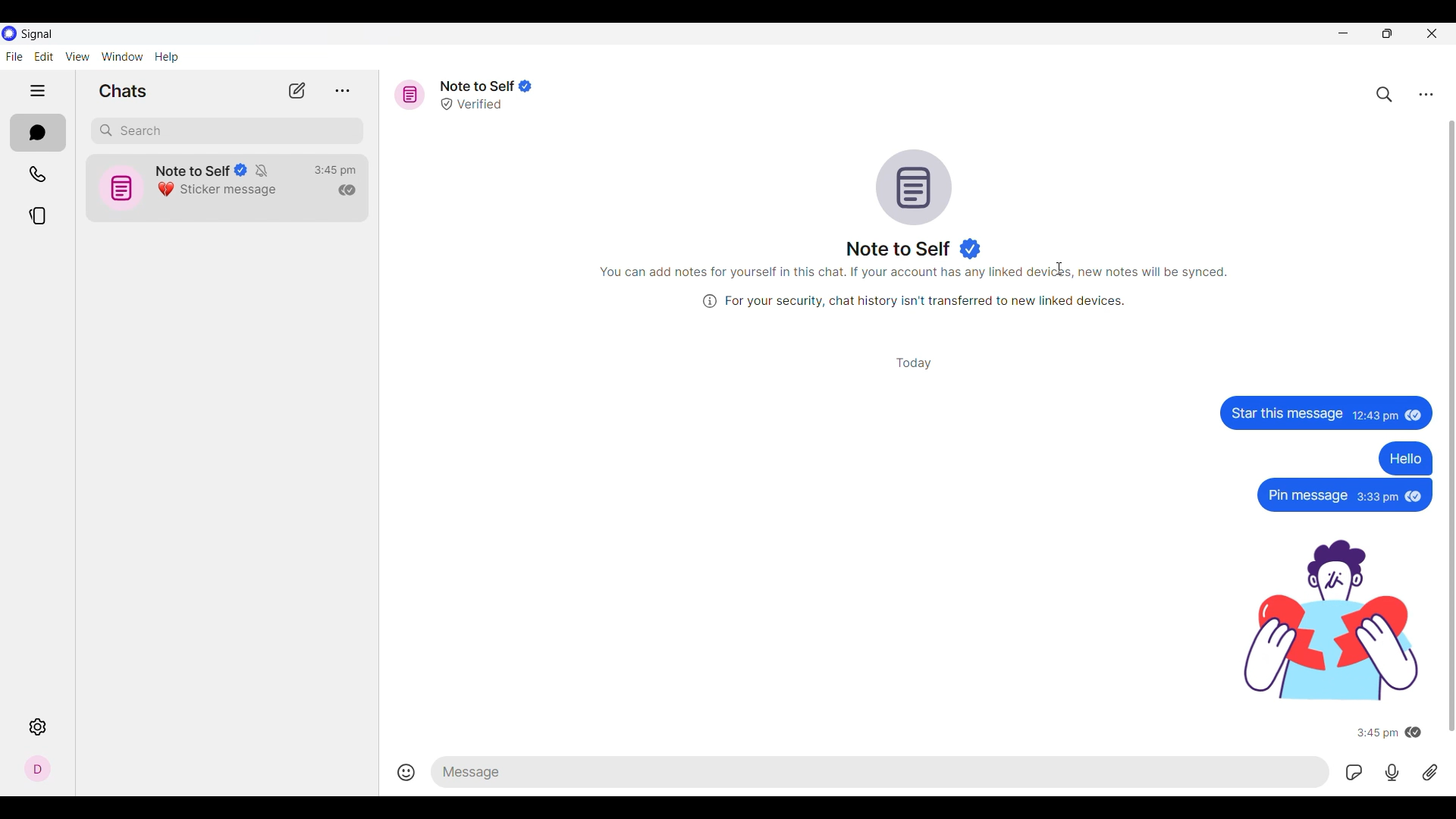 The height and width of the screenshot is (819, 1456). Describe the element at coordinates (38, 174) in the screenshot. I see `Calls` at that location.